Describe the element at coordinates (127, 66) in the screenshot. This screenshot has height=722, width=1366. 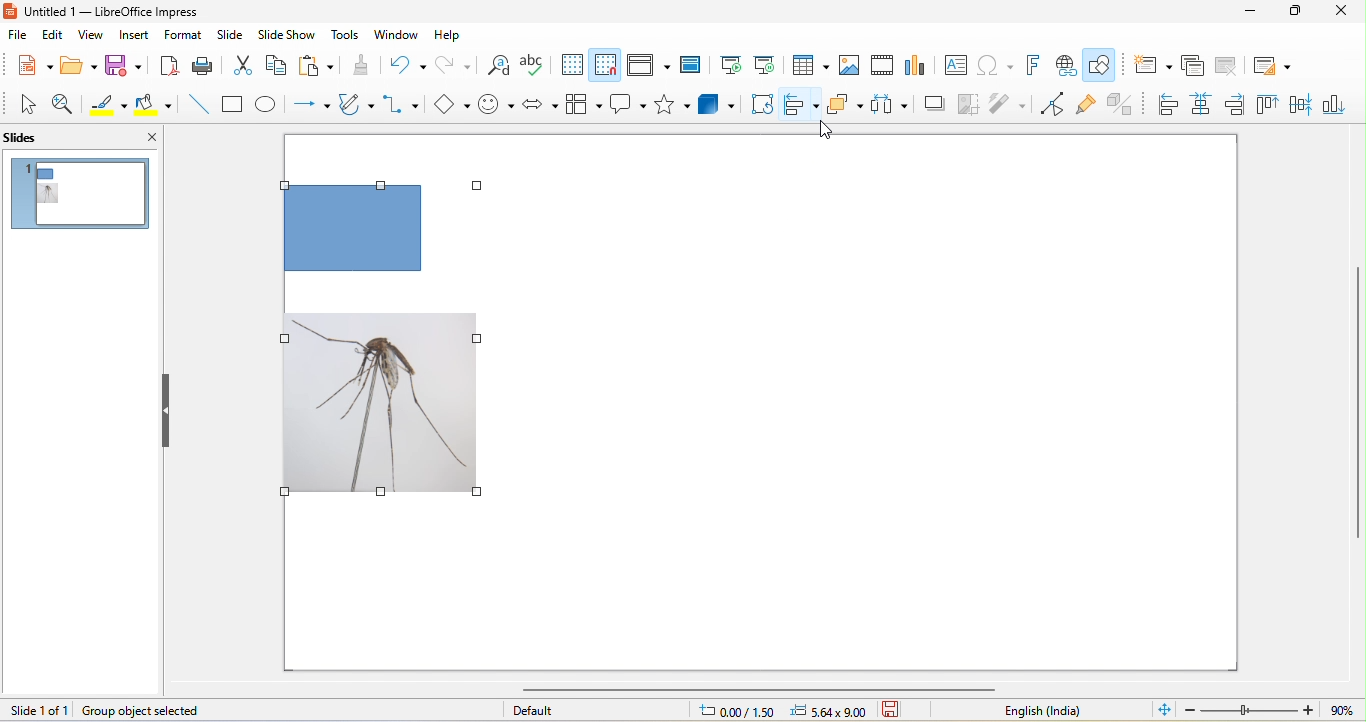
I see `save` at that location.